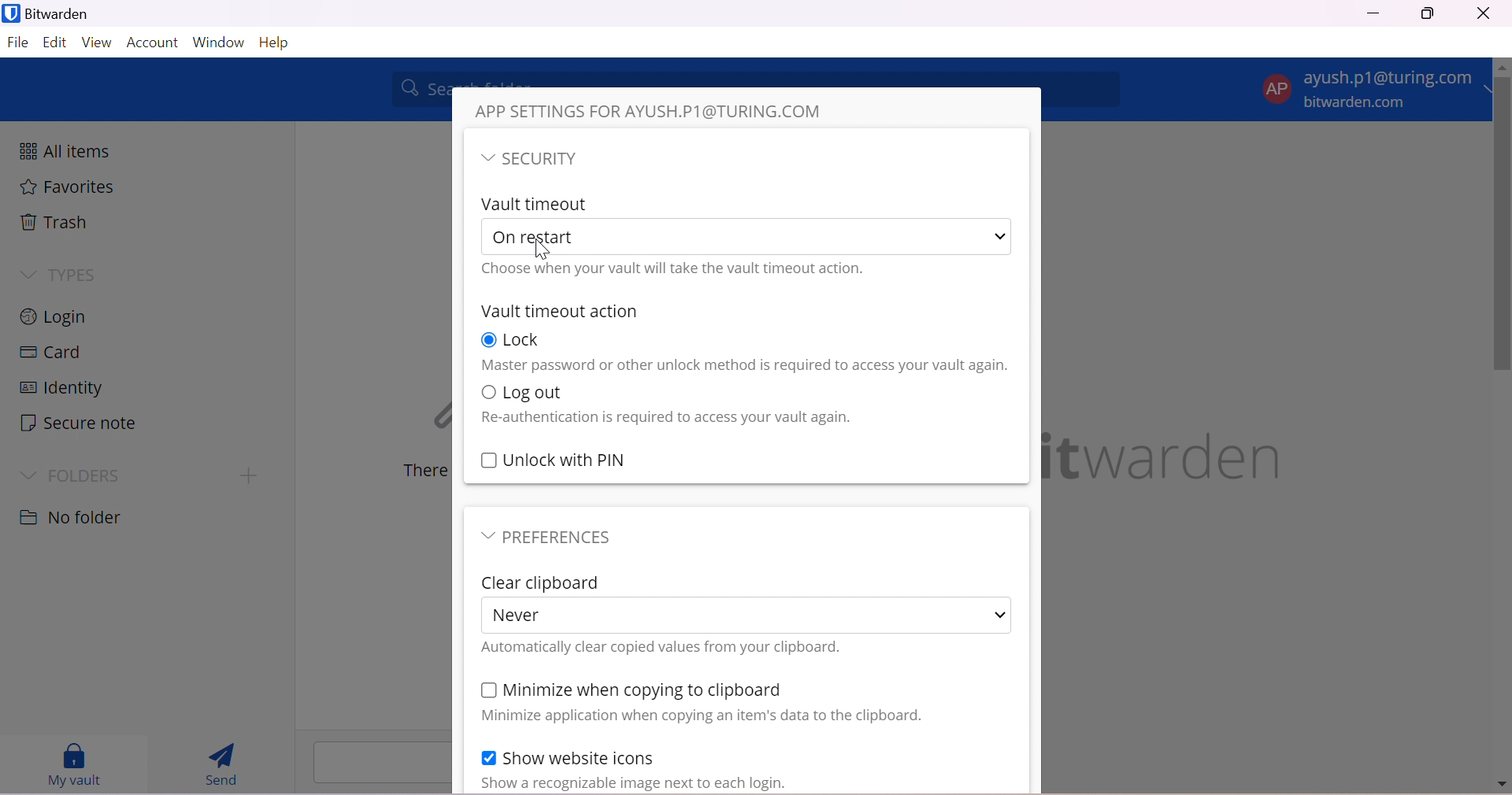 Image resolution: width=1512 pixels, height=795 pixels. I want to click on Login, so click(57, 315).